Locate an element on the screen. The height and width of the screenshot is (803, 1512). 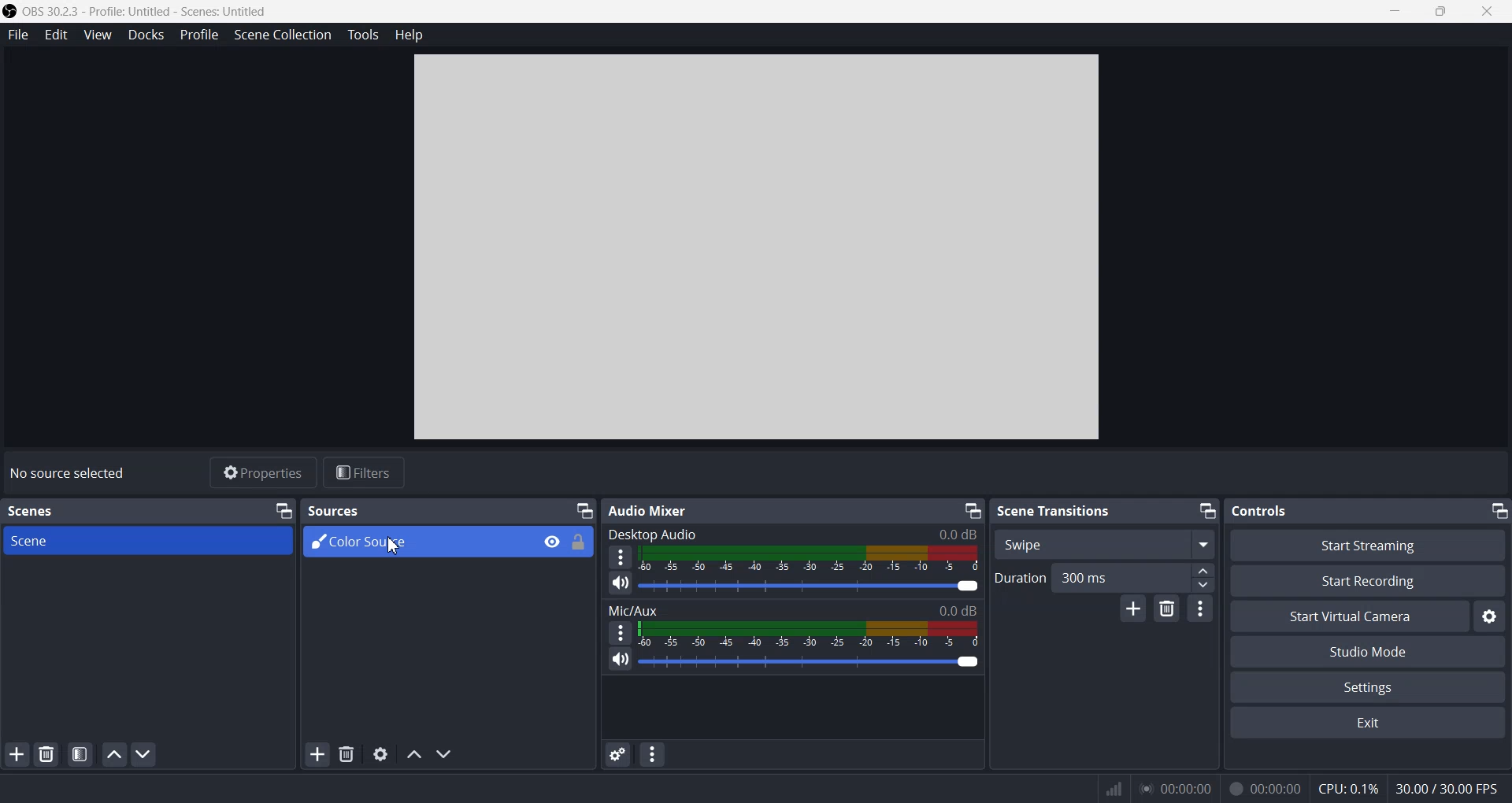
Scenes is located at coordinates (33, 510).